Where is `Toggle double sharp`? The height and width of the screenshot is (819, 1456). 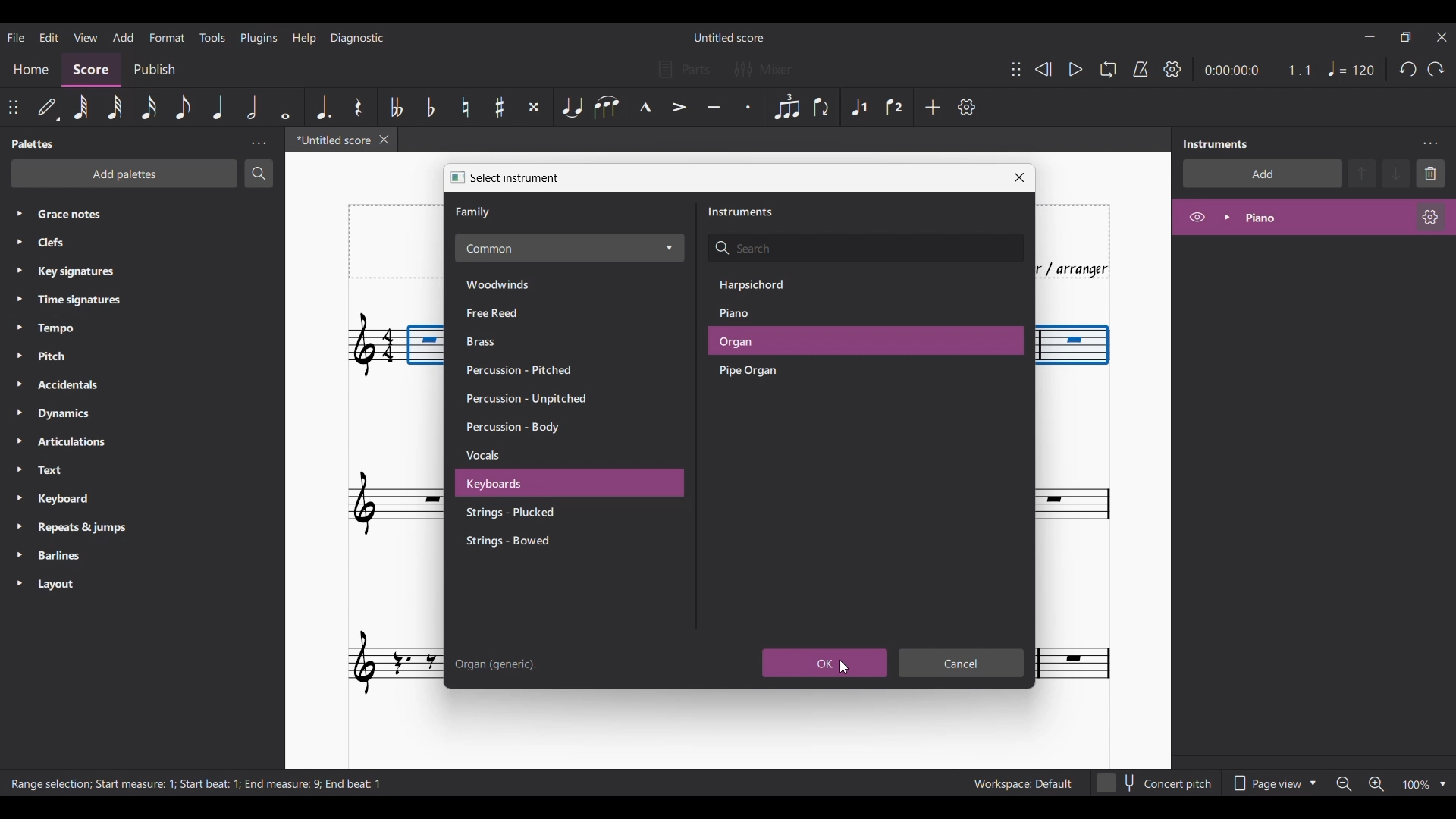 Toggle double sharp is located at coordinates (534, 107).